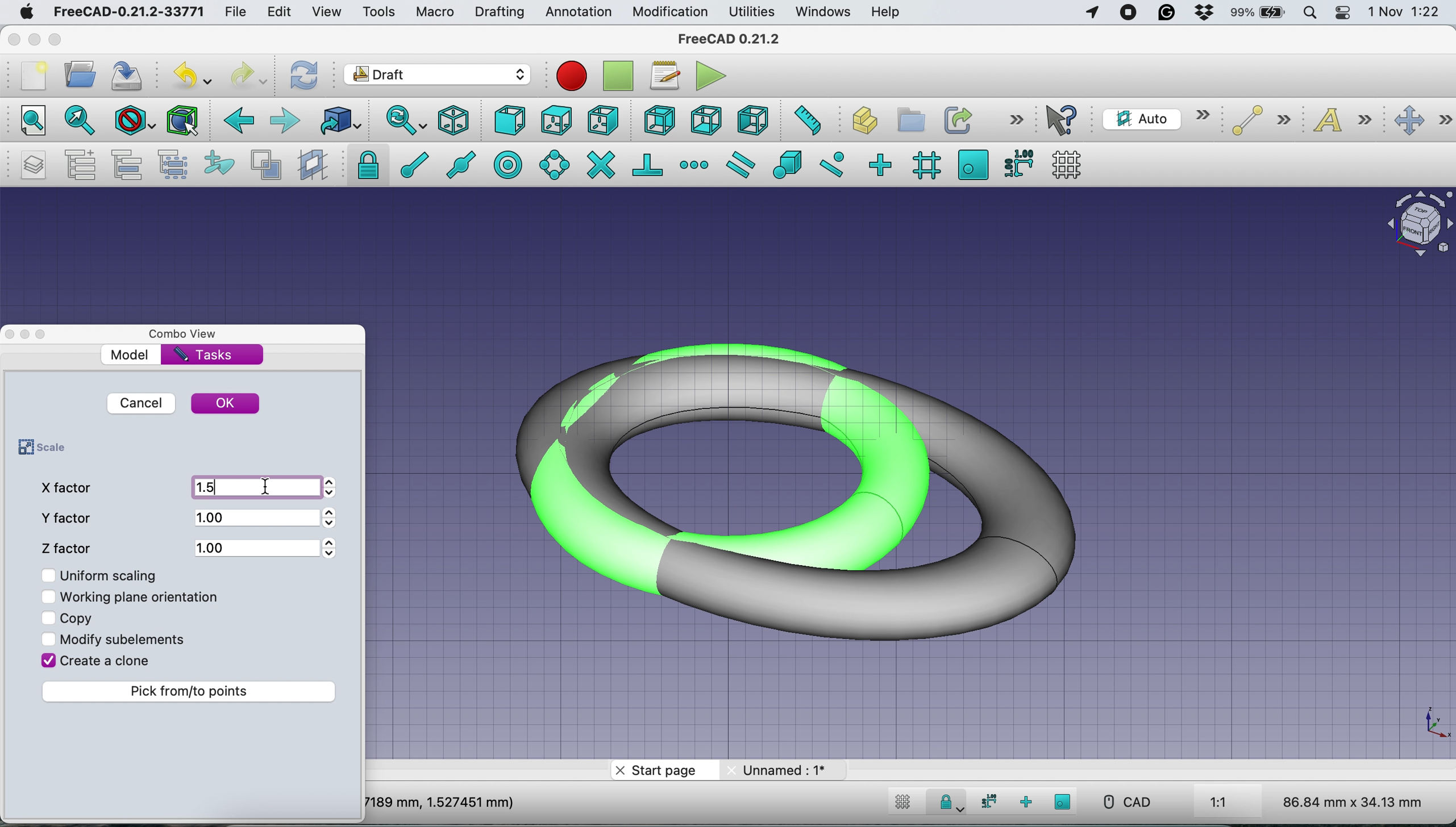 The height and width of the screenshot is (827, 1456). What do you see at coordinates (330, 548) in the screenshot?
I see `Arrows` at bounding box center [330, 548].